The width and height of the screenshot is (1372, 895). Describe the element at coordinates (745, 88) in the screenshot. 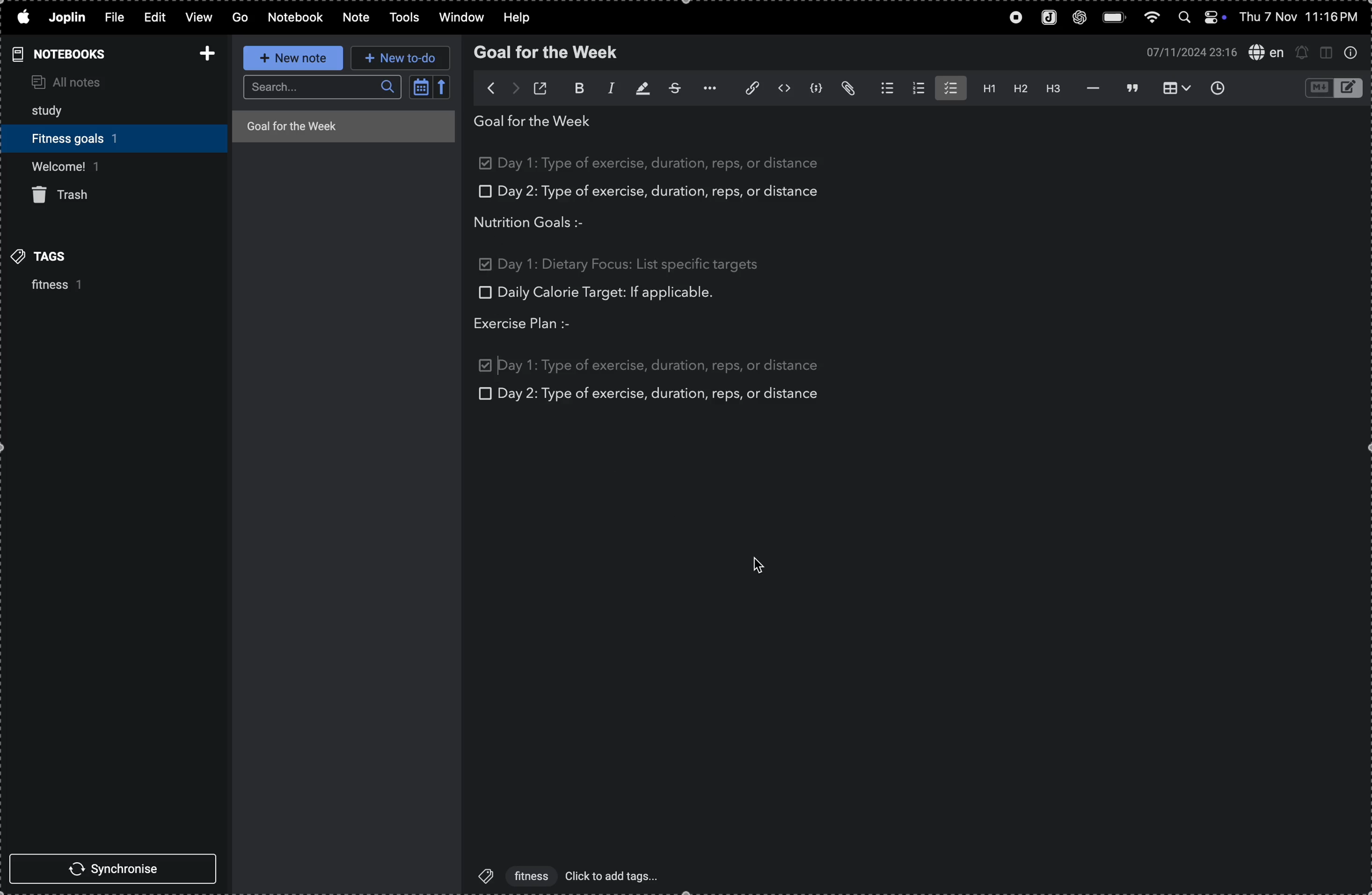

I see `insert edit link` at that location.